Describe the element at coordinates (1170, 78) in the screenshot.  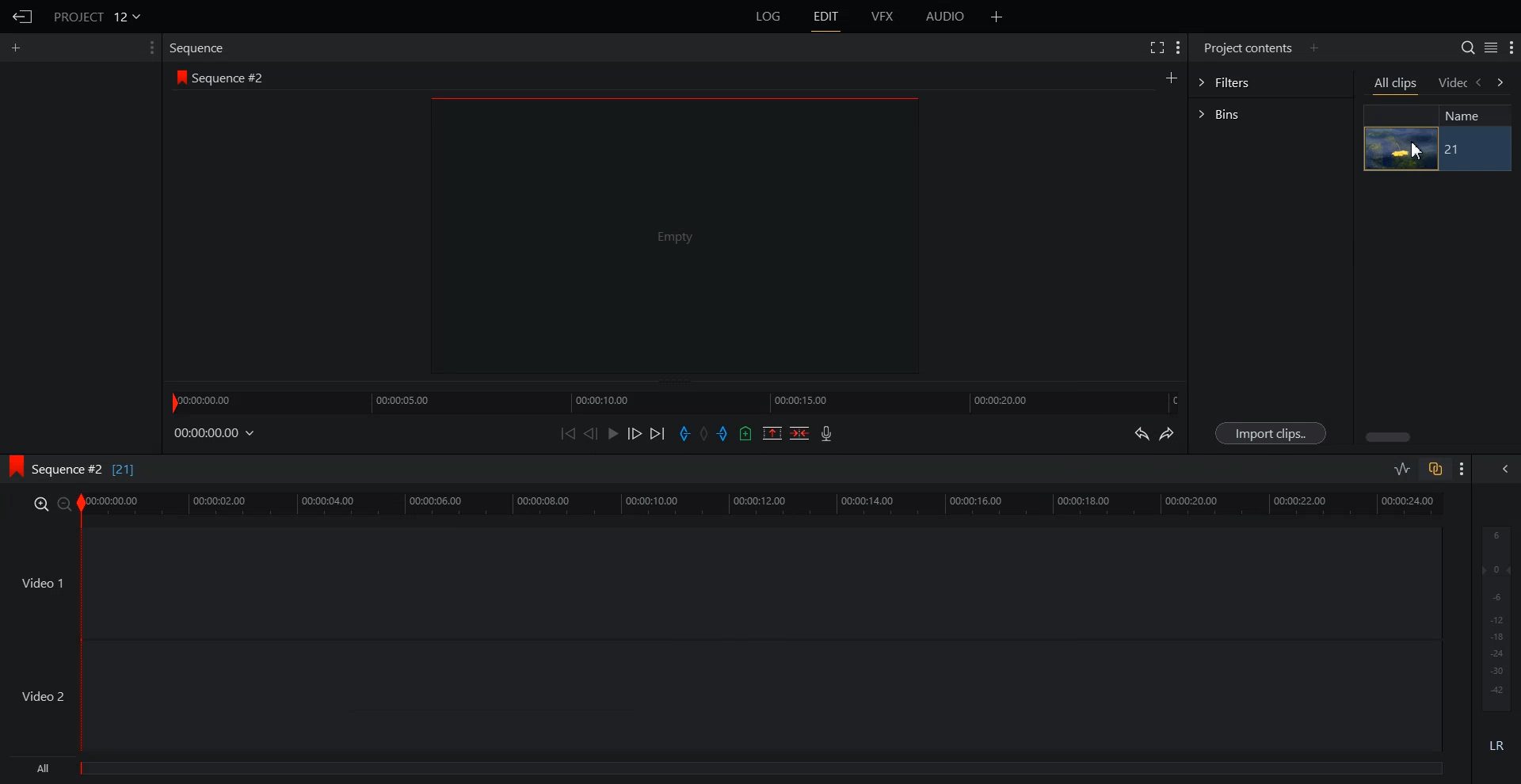
I see `Create Sequence` at that location.